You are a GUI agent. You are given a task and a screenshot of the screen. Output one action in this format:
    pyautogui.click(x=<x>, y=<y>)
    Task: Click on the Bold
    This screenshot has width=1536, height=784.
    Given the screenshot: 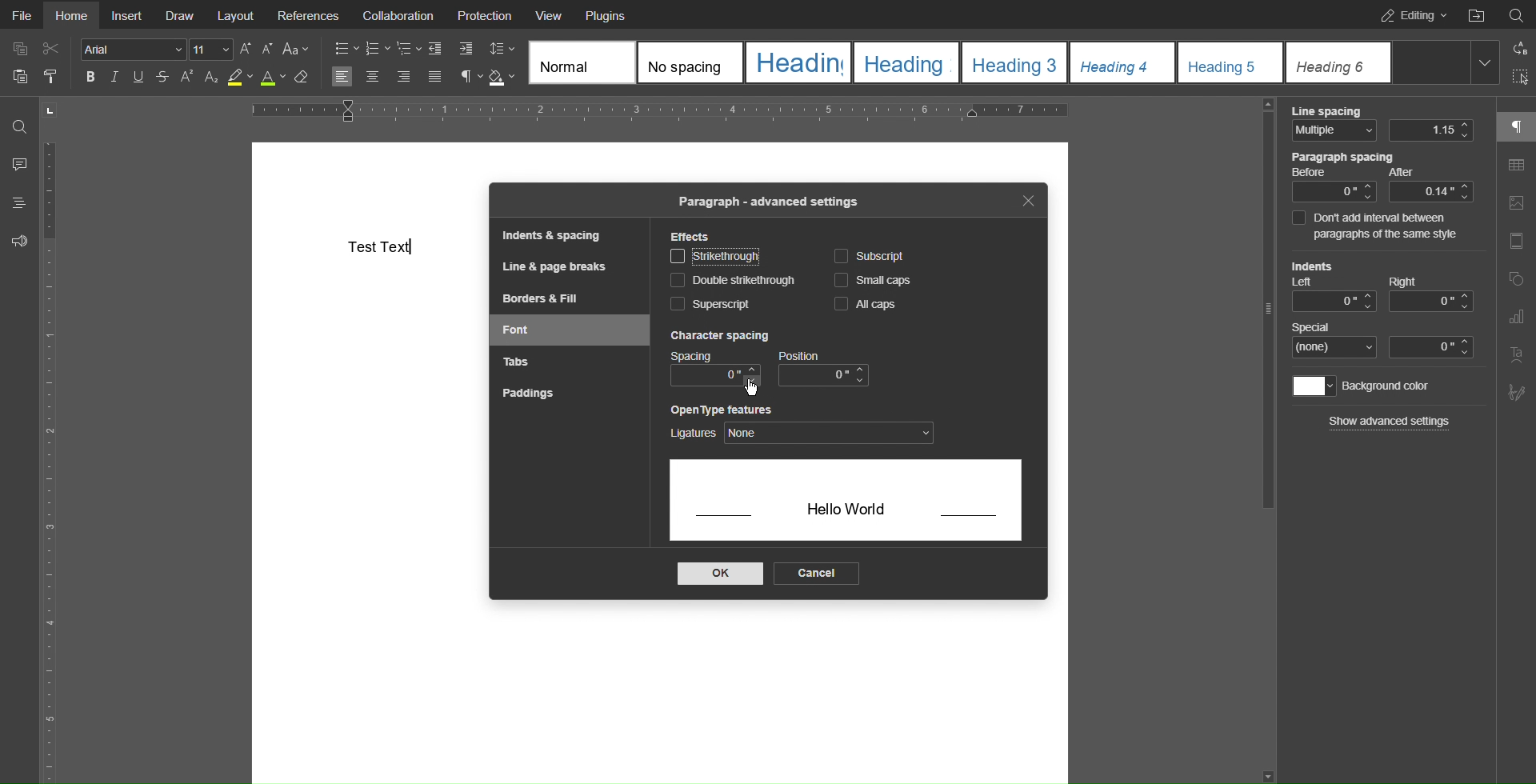 What is the action you would take?
    pyautogui.click(x=93, y=77)
    